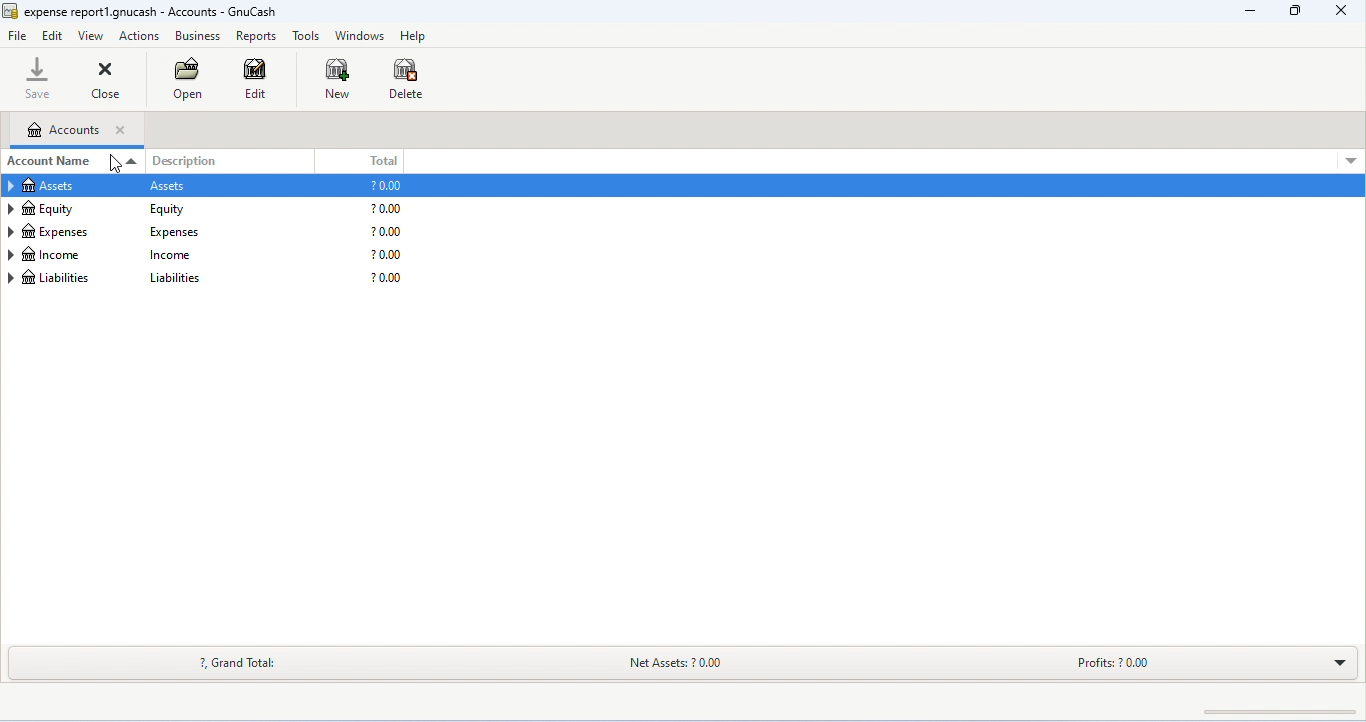  What do you see at coordinates (679, 663) in the screenshot?
I see `net assets` at bounding box center [679, 663].